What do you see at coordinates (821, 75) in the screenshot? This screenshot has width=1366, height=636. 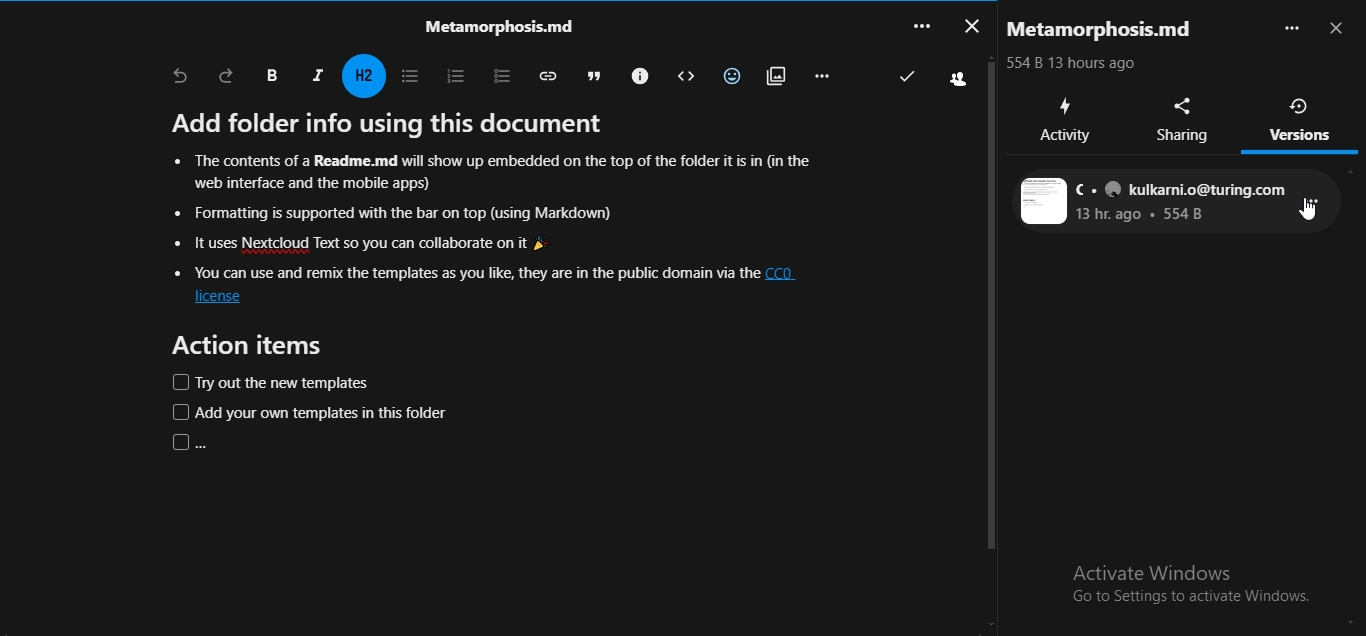 I see `remaining actions` at bounding box center [821, 75].